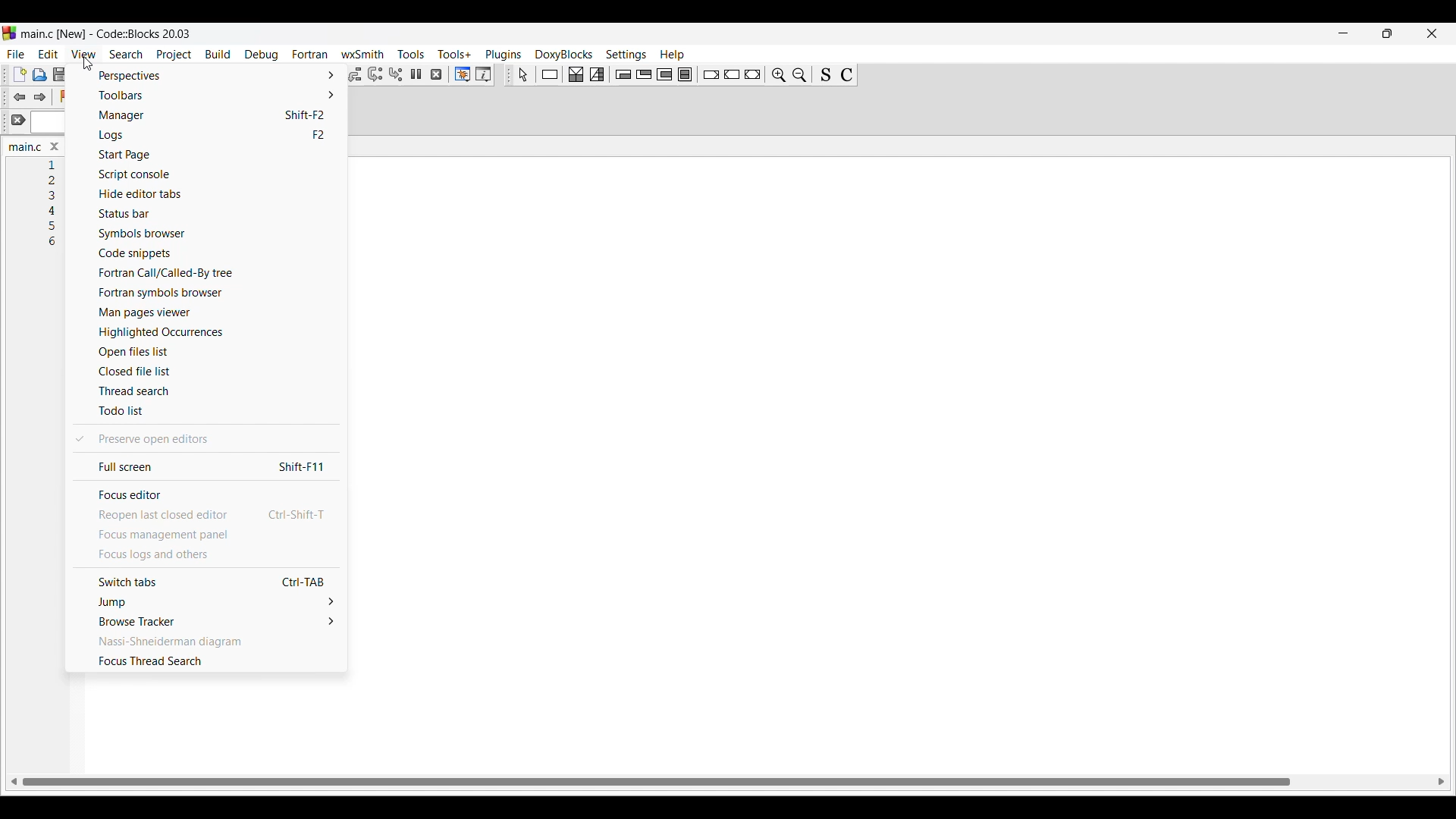 Image resolution: width=1456 pixels, height=819 pixels. I want to click on Step into instruction, so click(396, 74).